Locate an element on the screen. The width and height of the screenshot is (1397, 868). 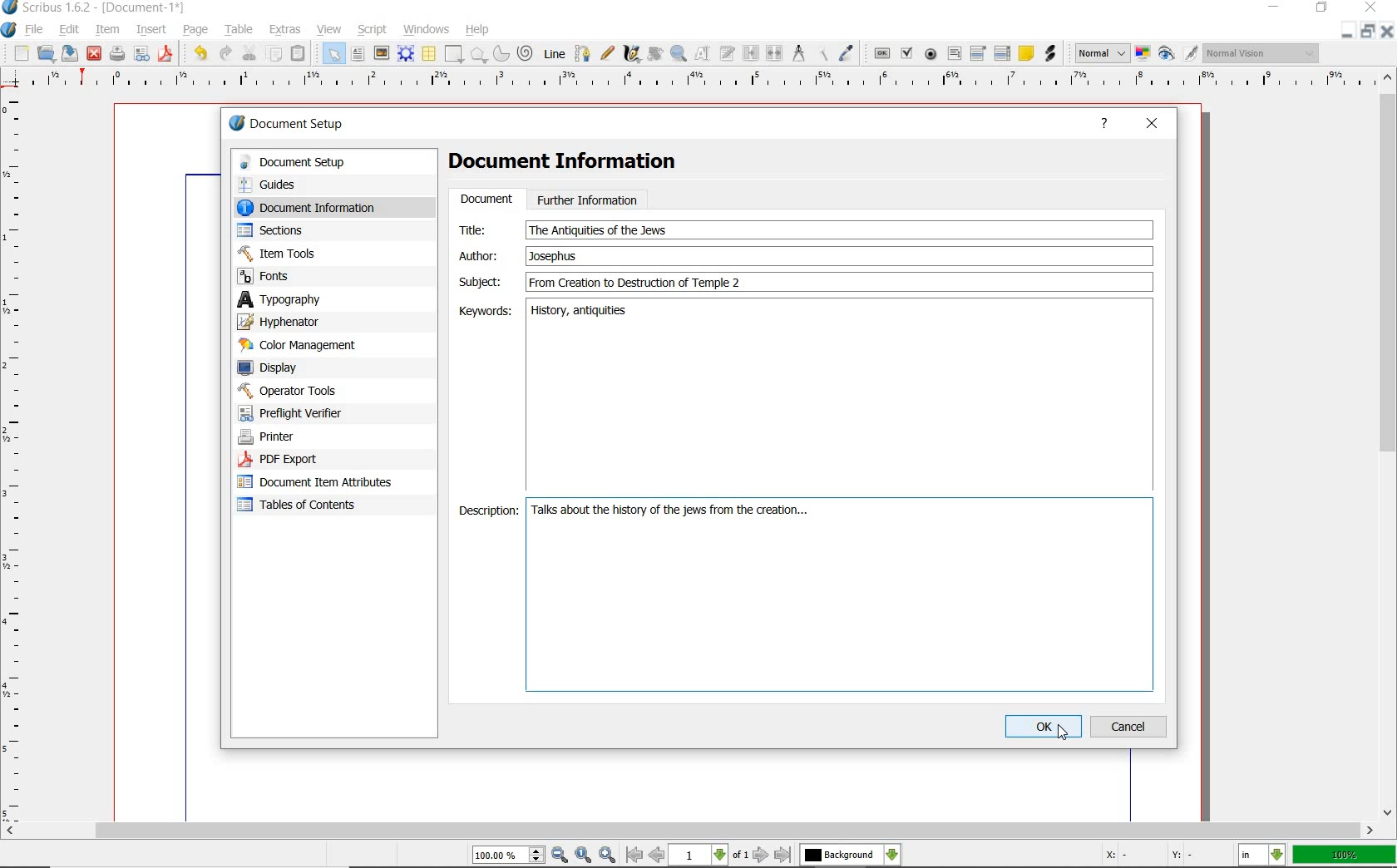
display is located at coordinates (297, 367).